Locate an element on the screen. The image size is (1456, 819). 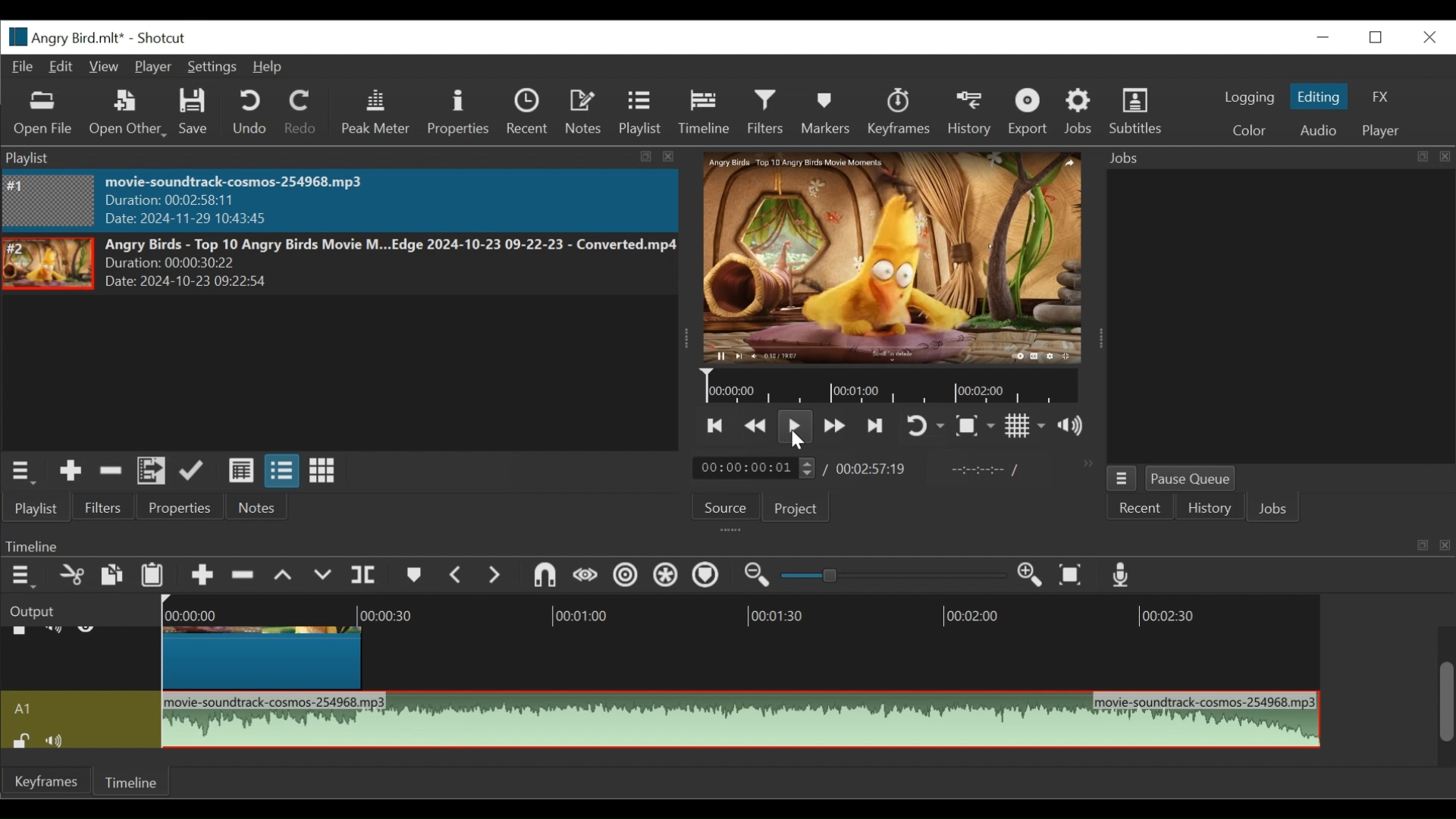
movie-soundtrack-cosmos-254968.mp3(clip sound) is located at coordinates (742, 719).